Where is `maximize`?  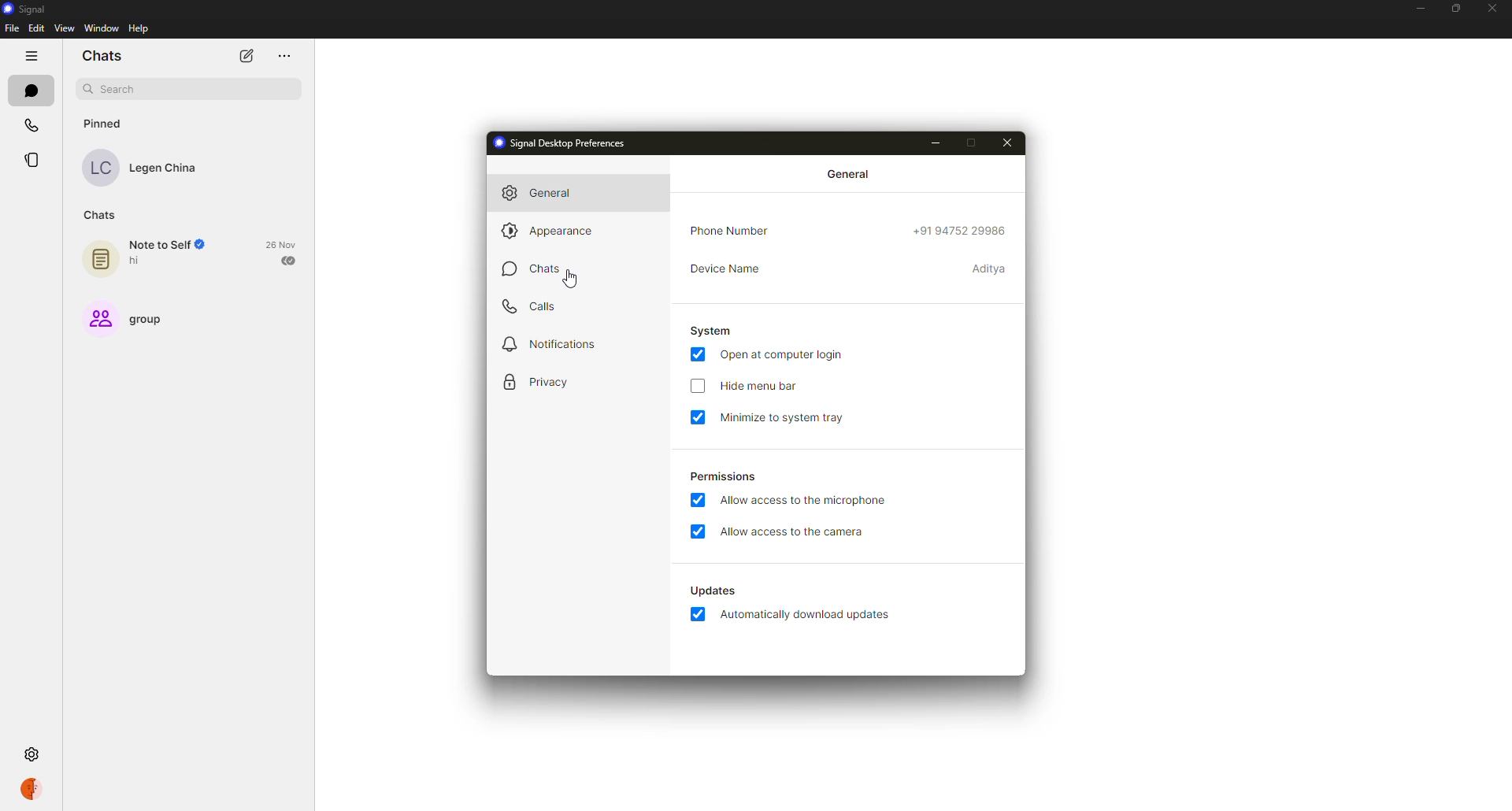
maximize is located at coordinates (974, 143).